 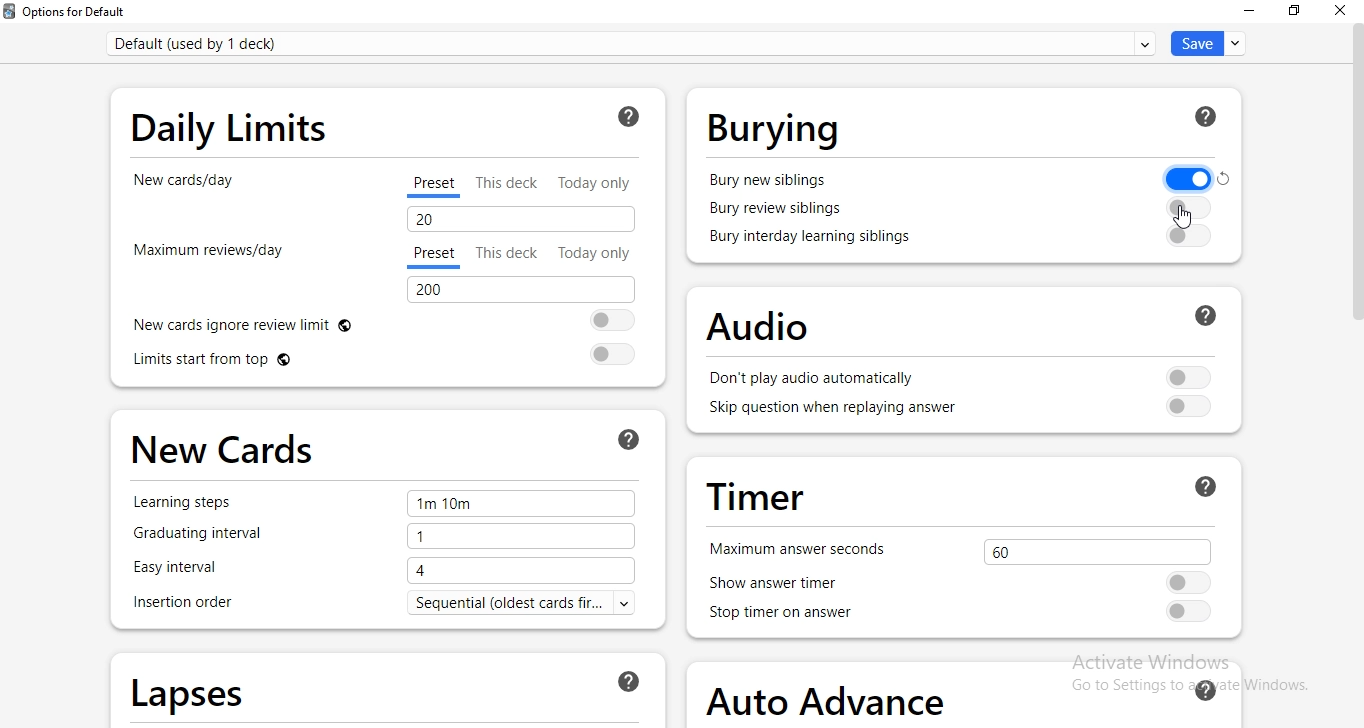 I want to click on easy interval, so click(x=192, y=568).